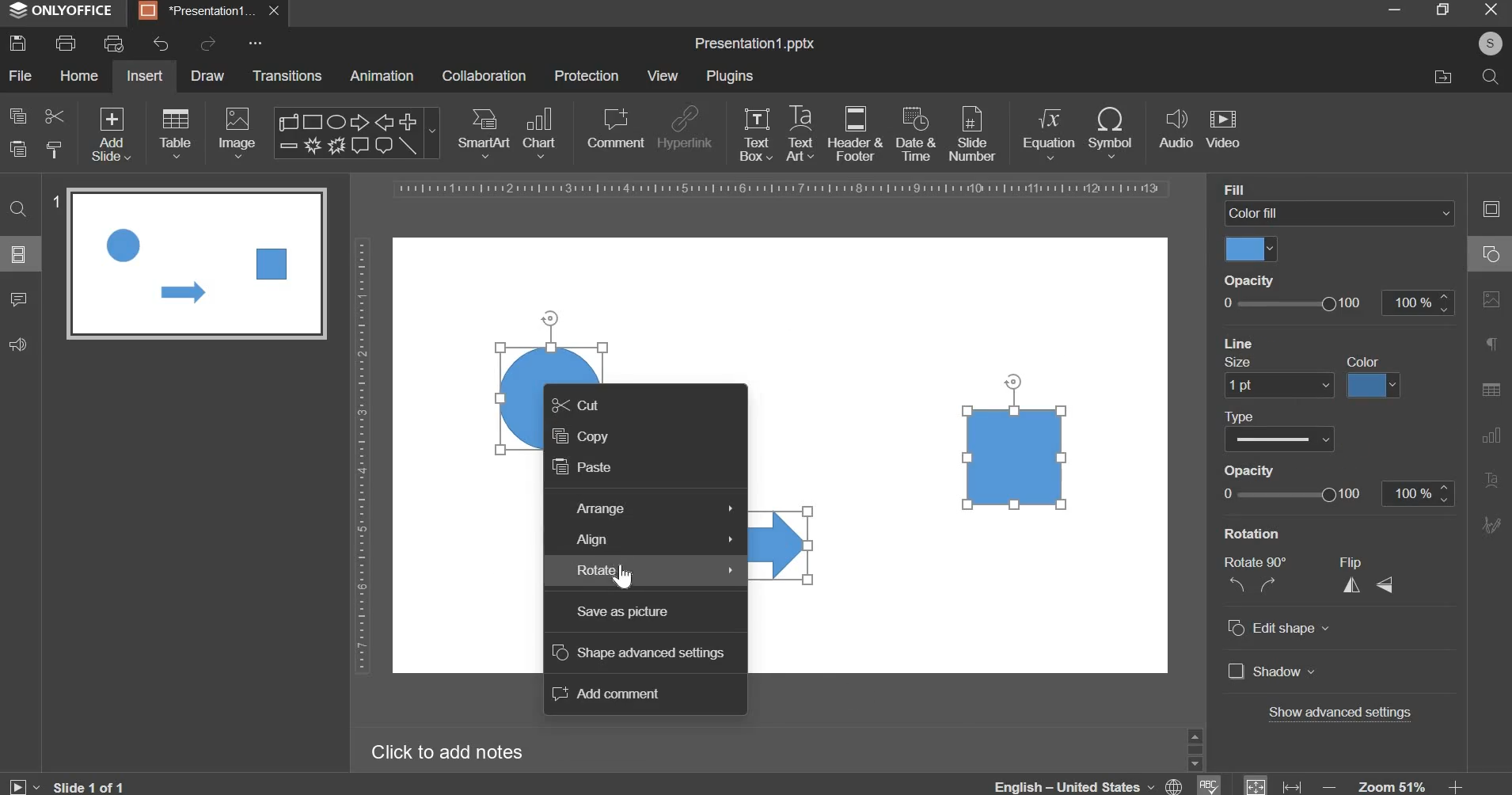 The width and height of the screenshot is (1512, 795). Describe the element at coordinates (800, 133) in the screenshot. I see `text art` at that location.